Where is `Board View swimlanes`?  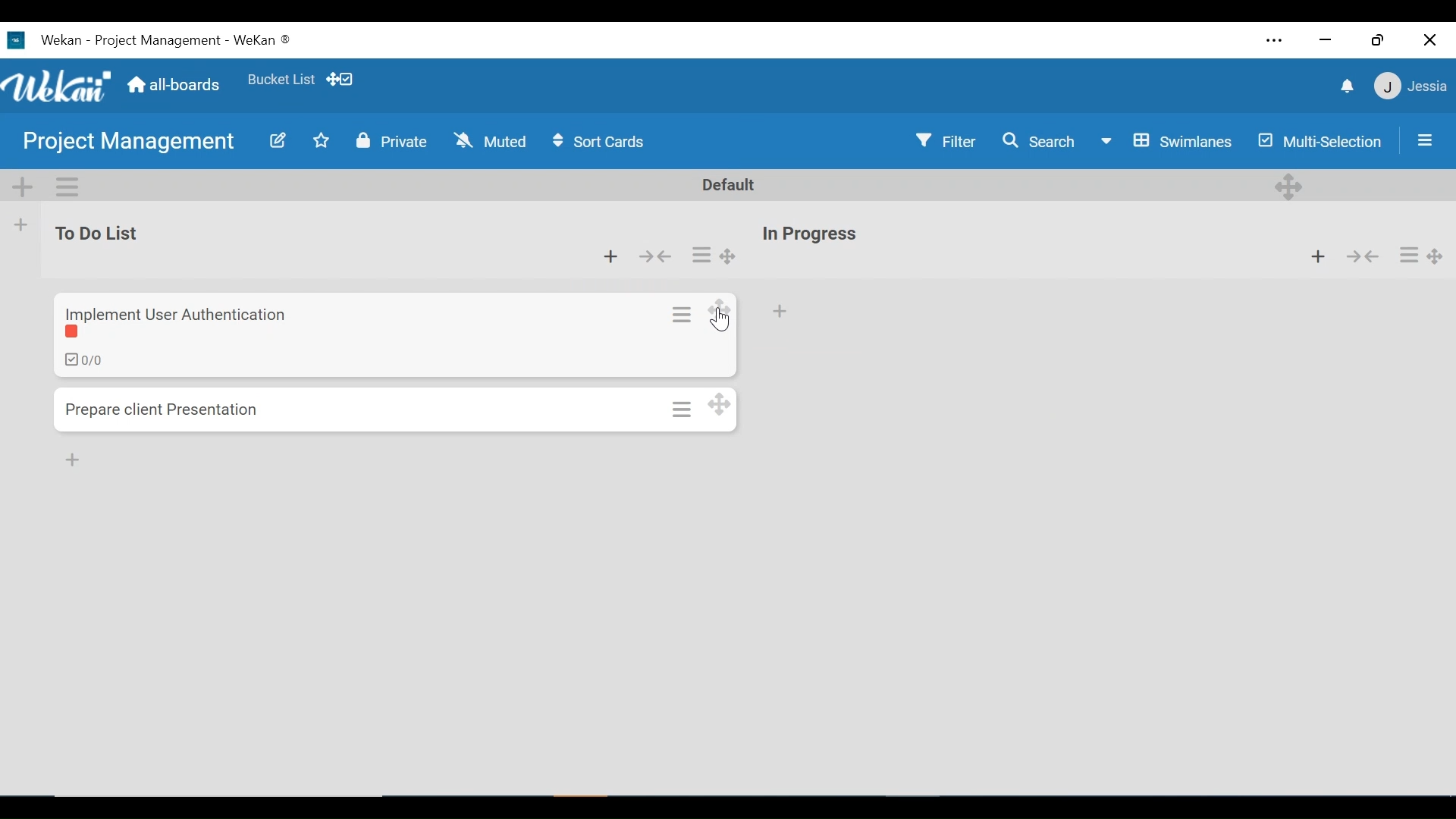
Board View swimlanes is located at coordinates (1169, 140).